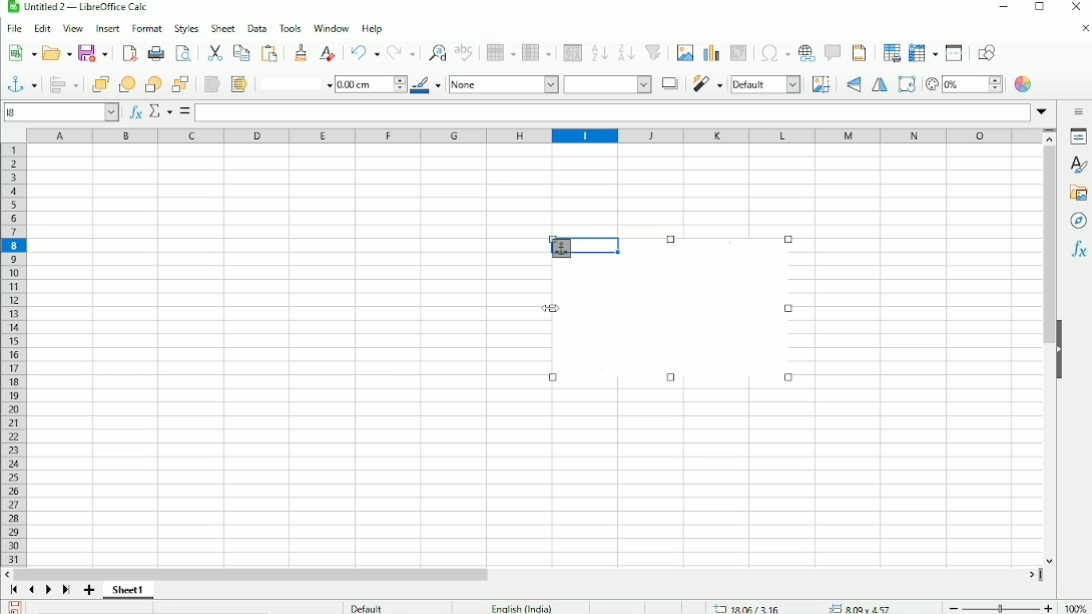 This screenshot has width=1092, height=614. Describe the element at coordinates (954, 53) in the screenshot. I see `Split window` at that location.